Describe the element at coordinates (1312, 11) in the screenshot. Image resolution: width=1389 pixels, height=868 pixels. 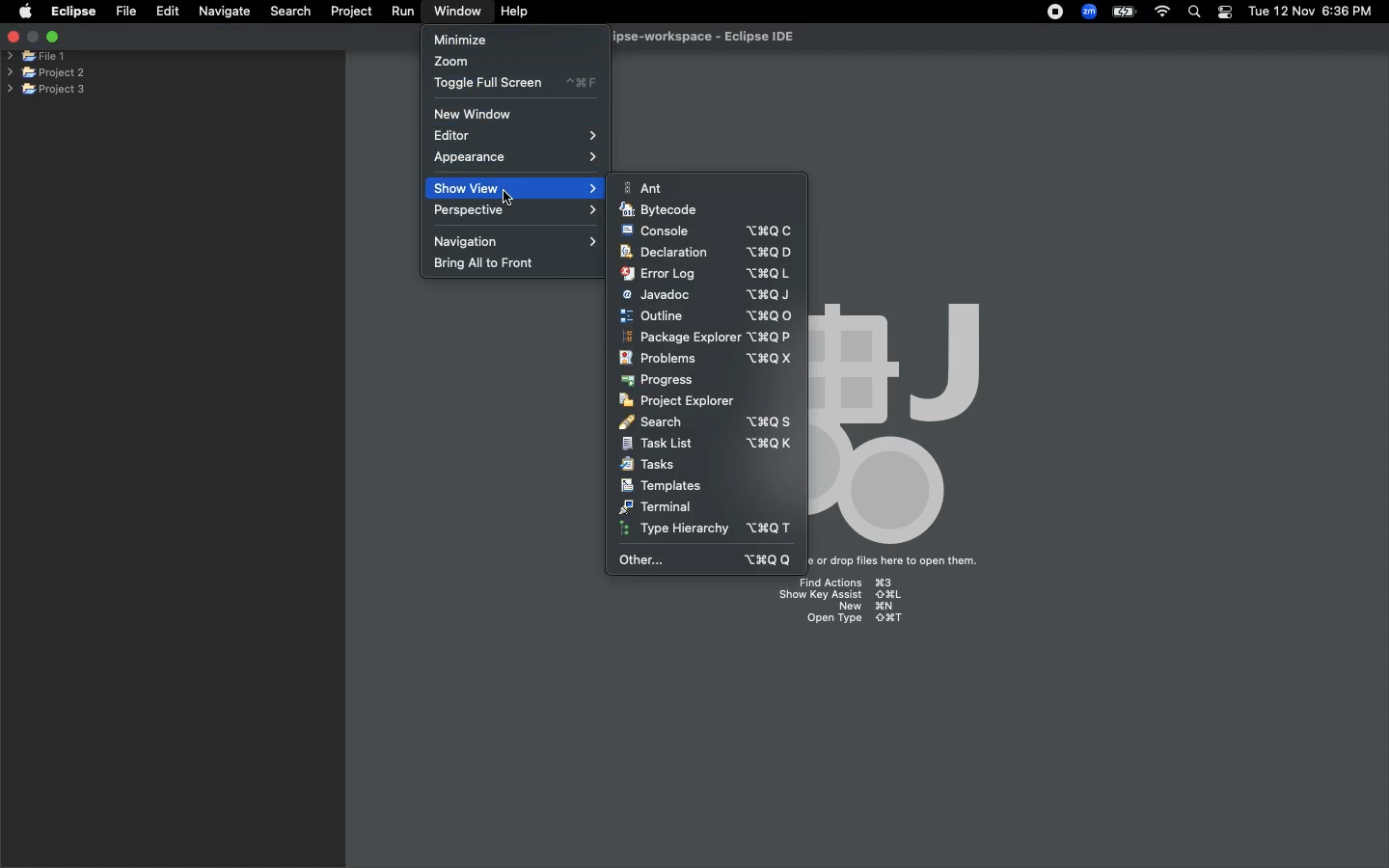
I see `Date/time` at that location.